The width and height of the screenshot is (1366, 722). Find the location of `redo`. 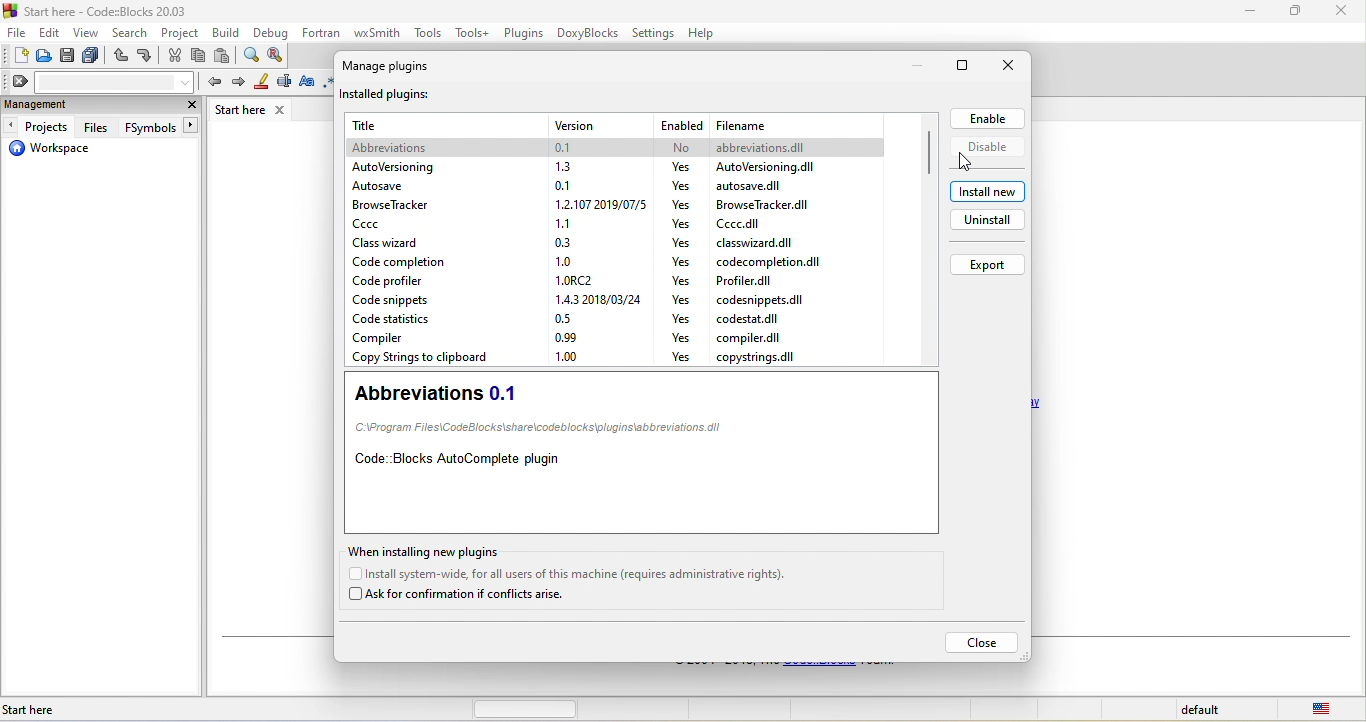

redo is located at coordinates (144, 56).